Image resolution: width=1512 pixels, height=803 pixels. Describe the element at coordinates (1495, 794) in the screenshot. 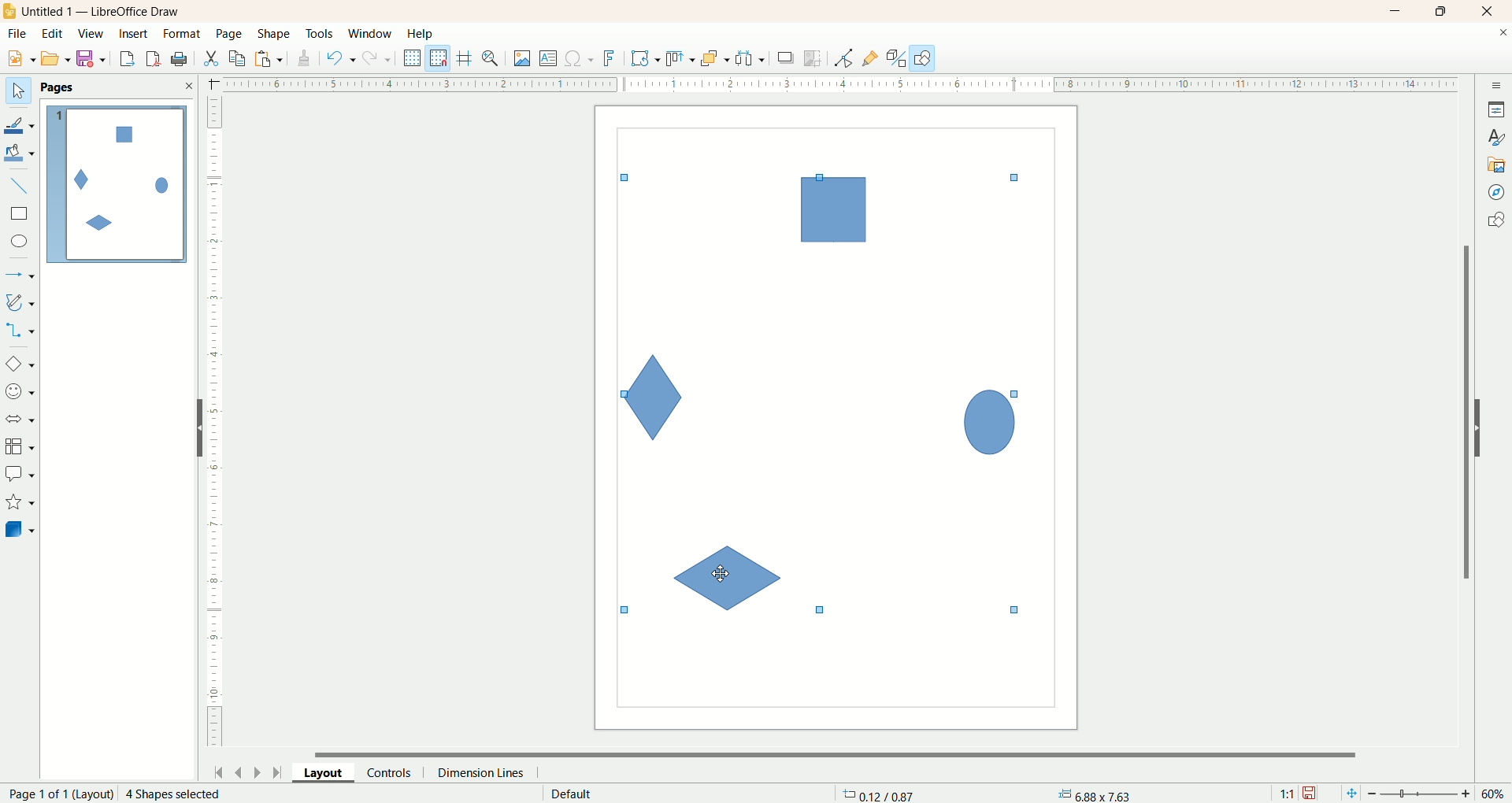

I see `zoom percent` at that location.